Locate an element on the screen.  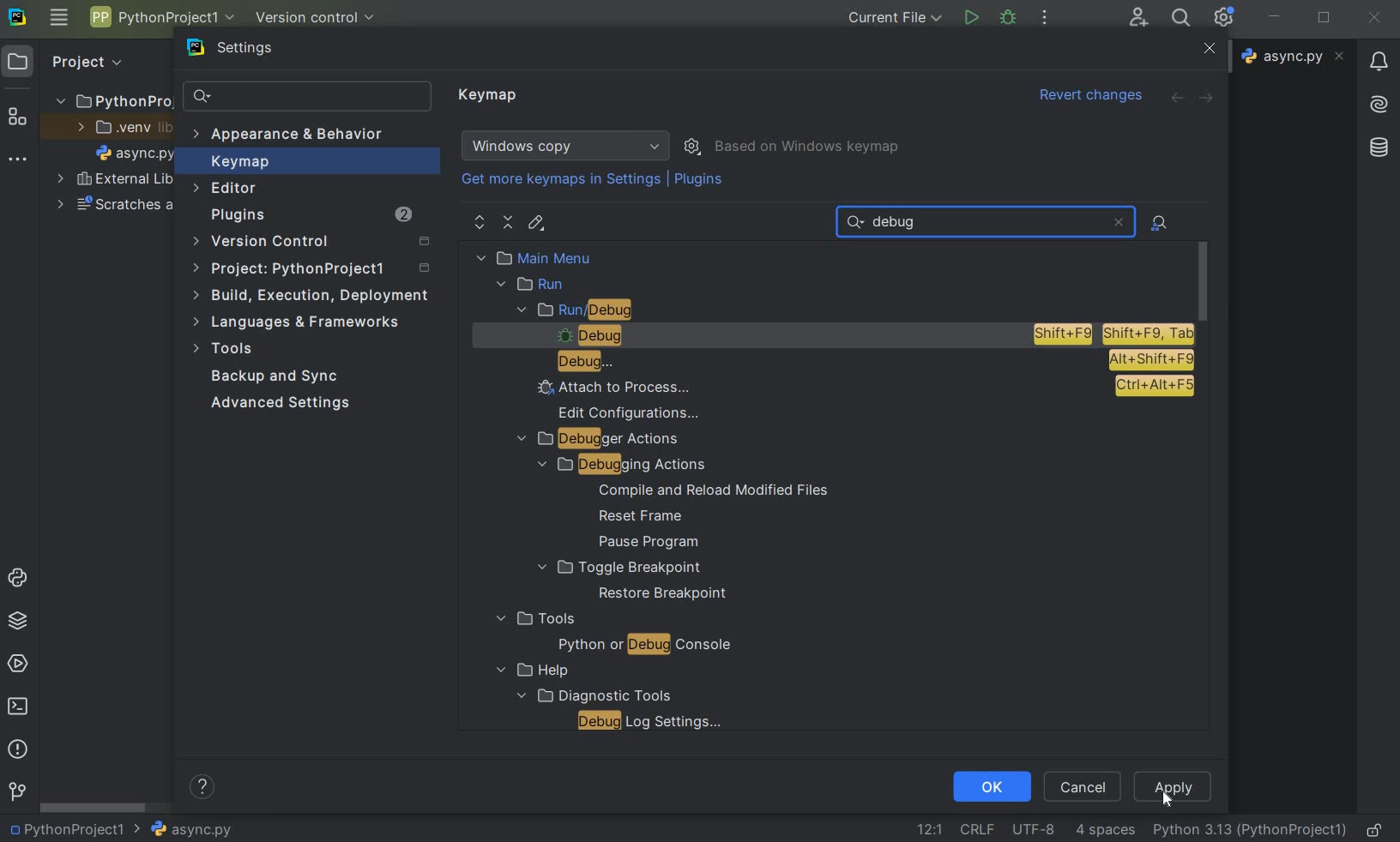
show scheme actions is located at coordinates (694, 145).